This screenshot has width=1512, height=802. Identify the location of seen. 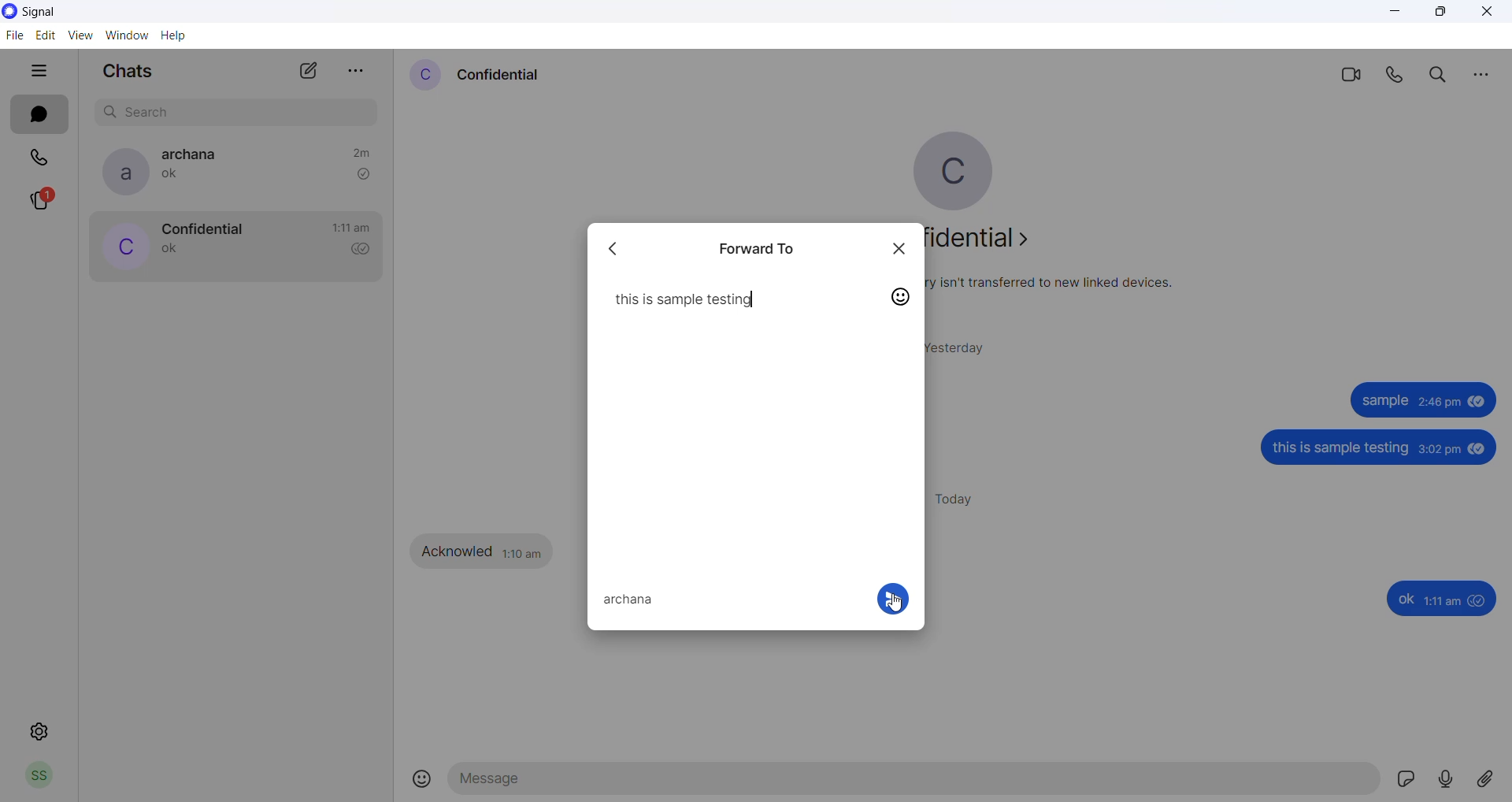
(1477, 405).